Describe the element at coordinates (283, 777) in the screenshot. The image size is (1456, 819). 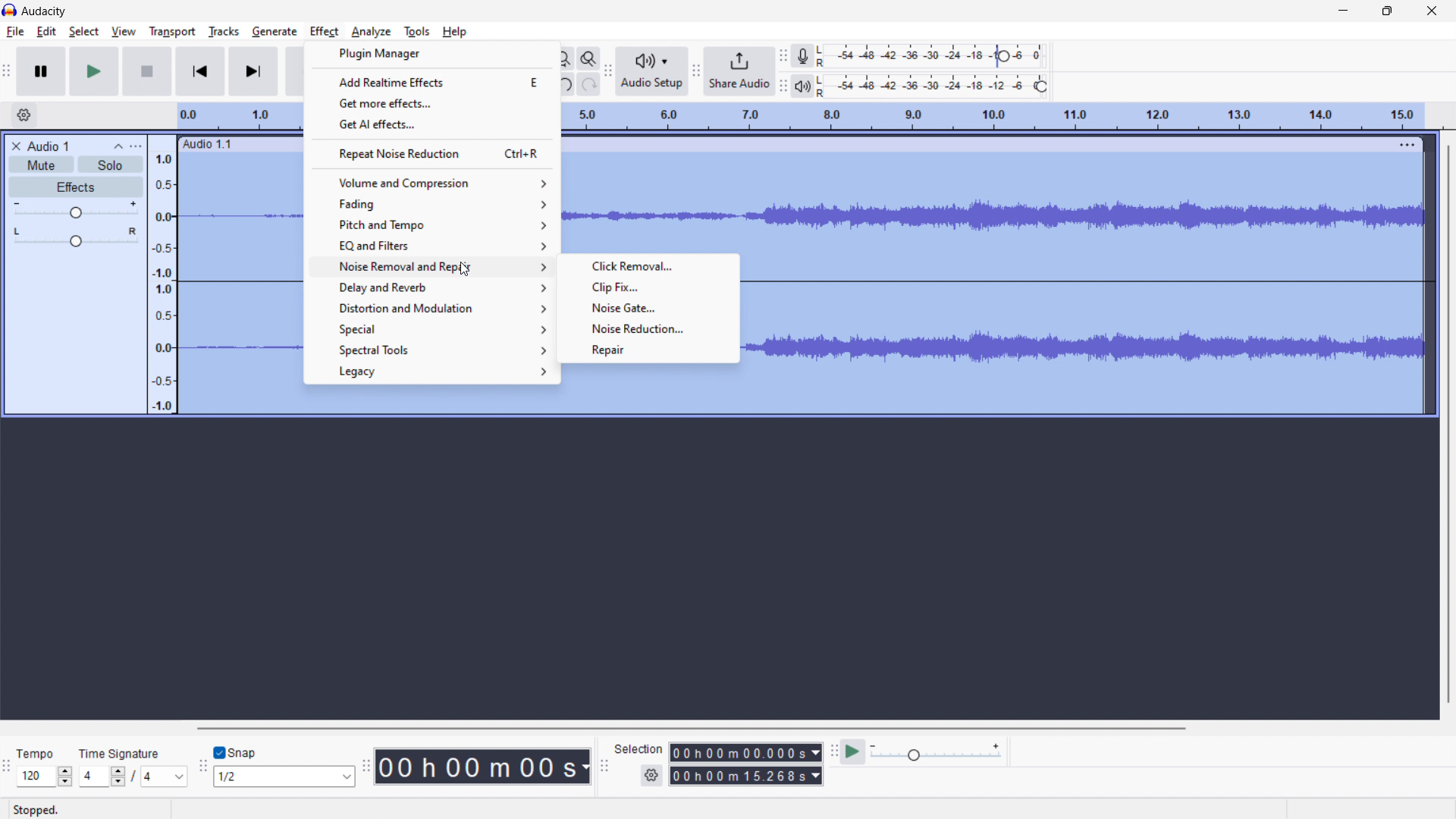
I see `select snapping` at that location.